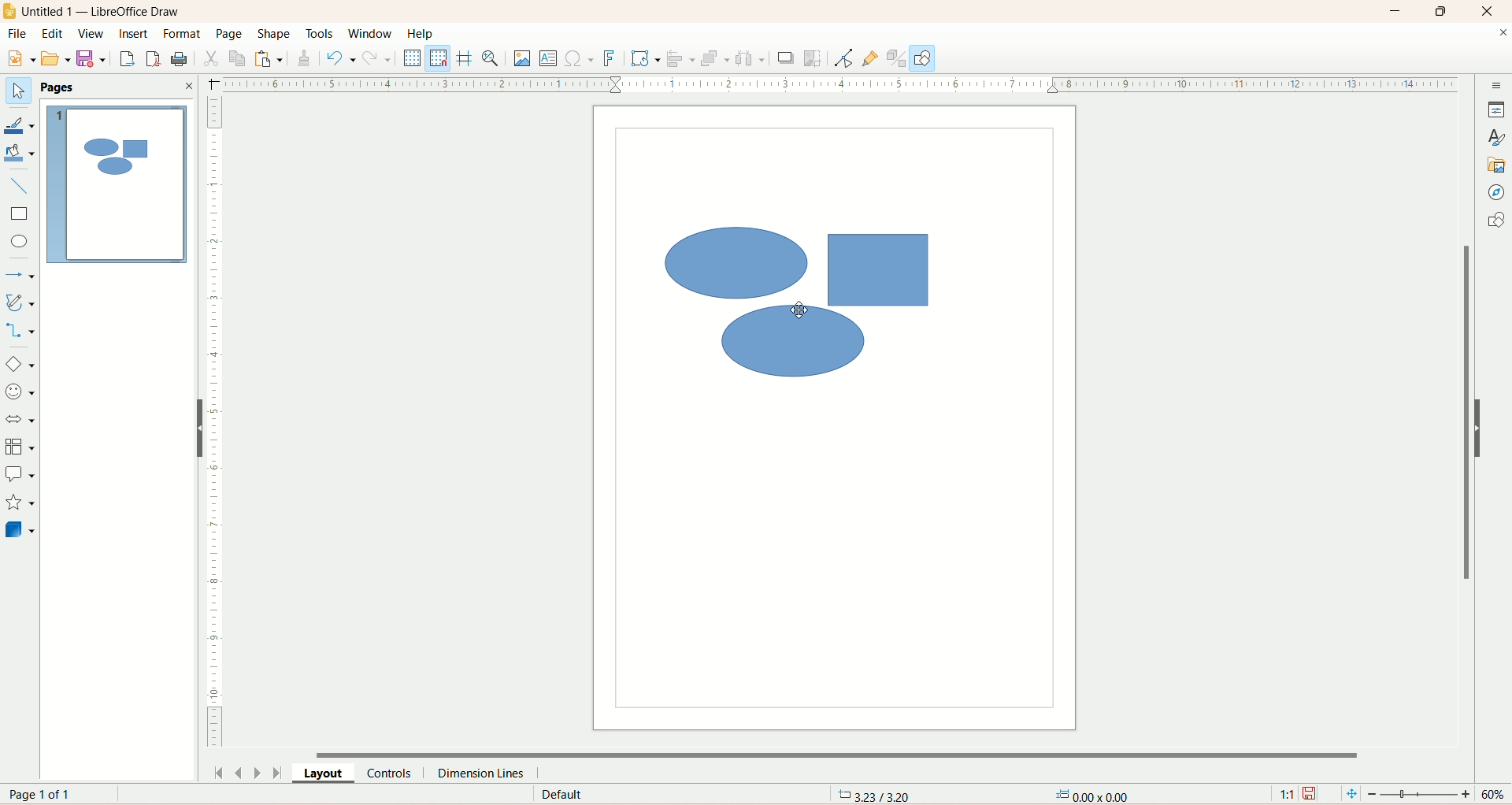 The image size is (1512, 805). I want to click on clone formatting, so click(306, 58).